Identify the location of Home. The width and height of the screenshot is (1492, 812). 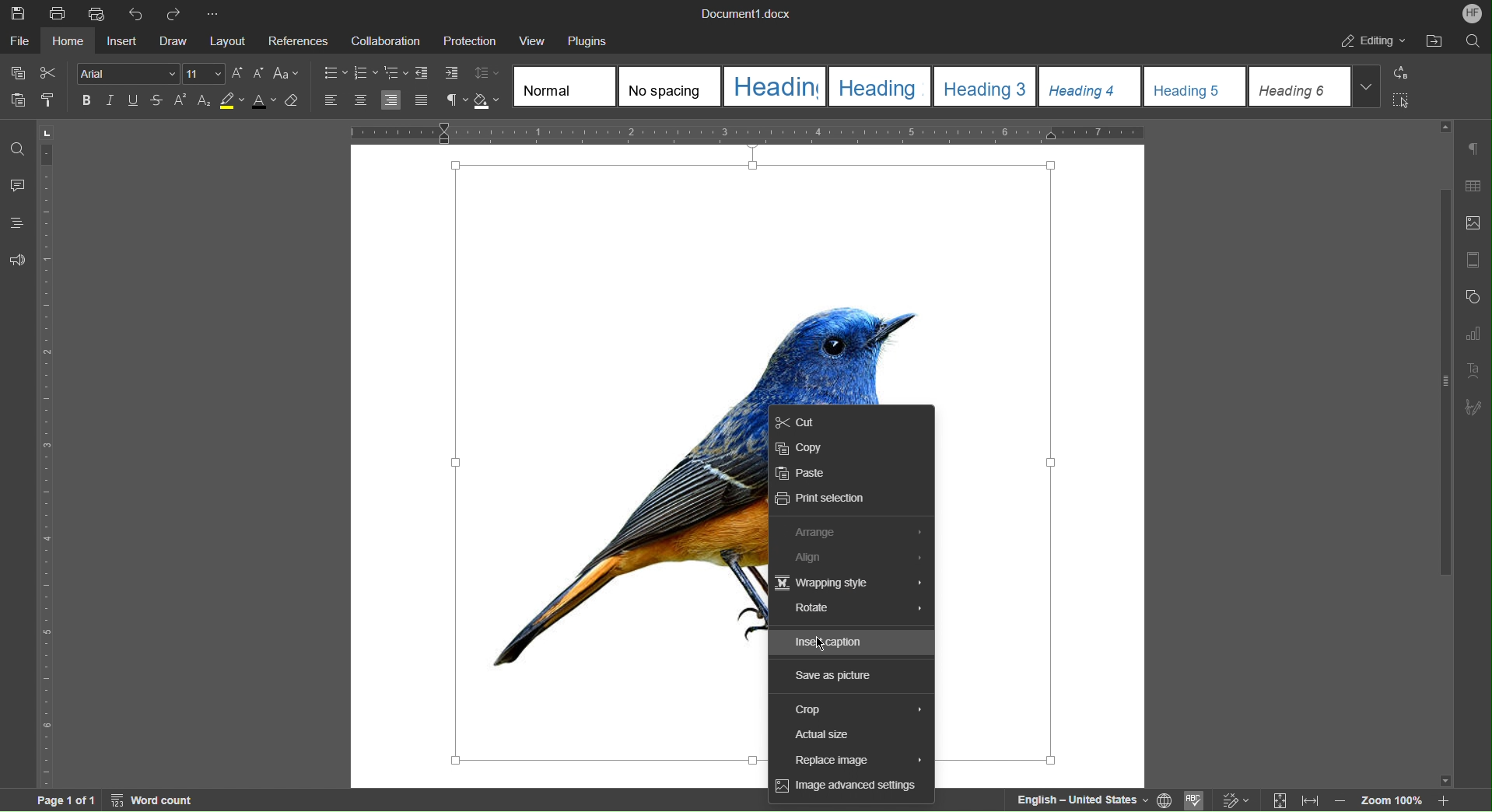
(68, 43).